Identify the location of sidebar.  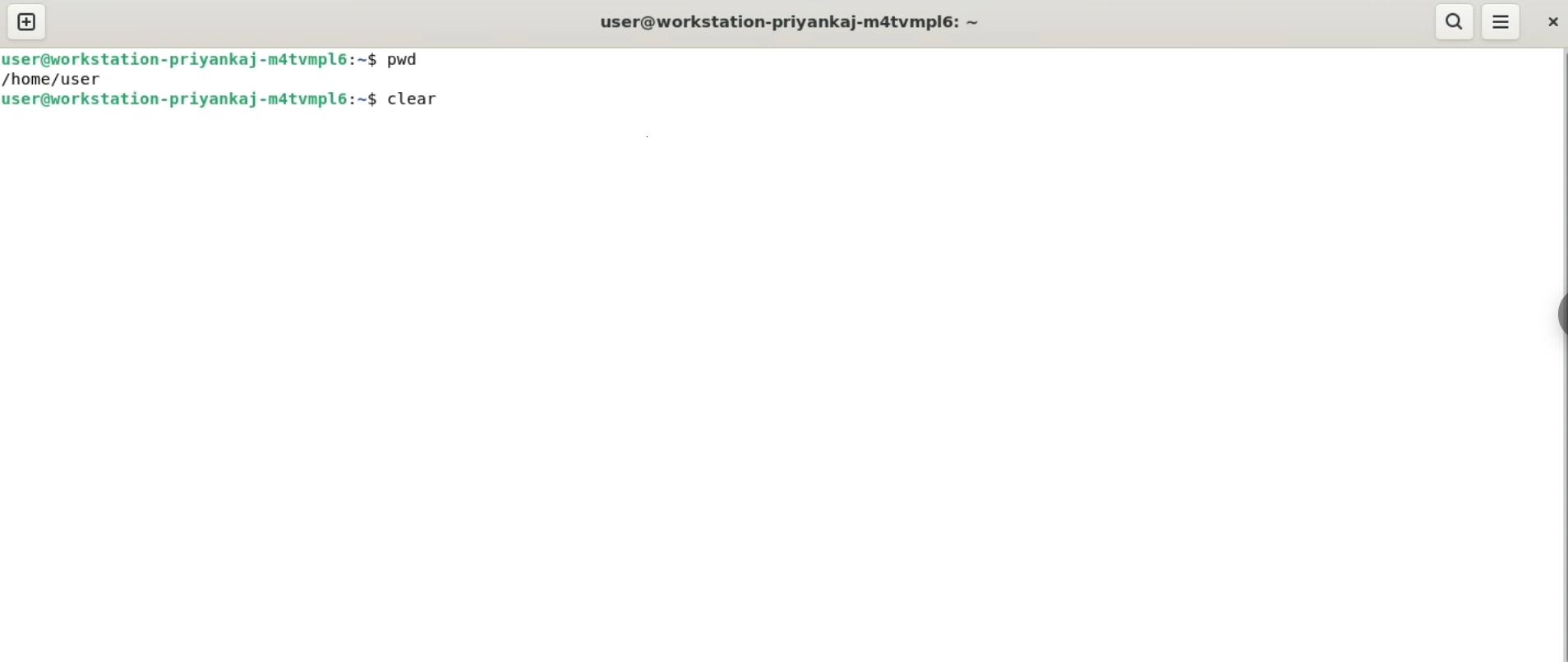
(1556, 315).